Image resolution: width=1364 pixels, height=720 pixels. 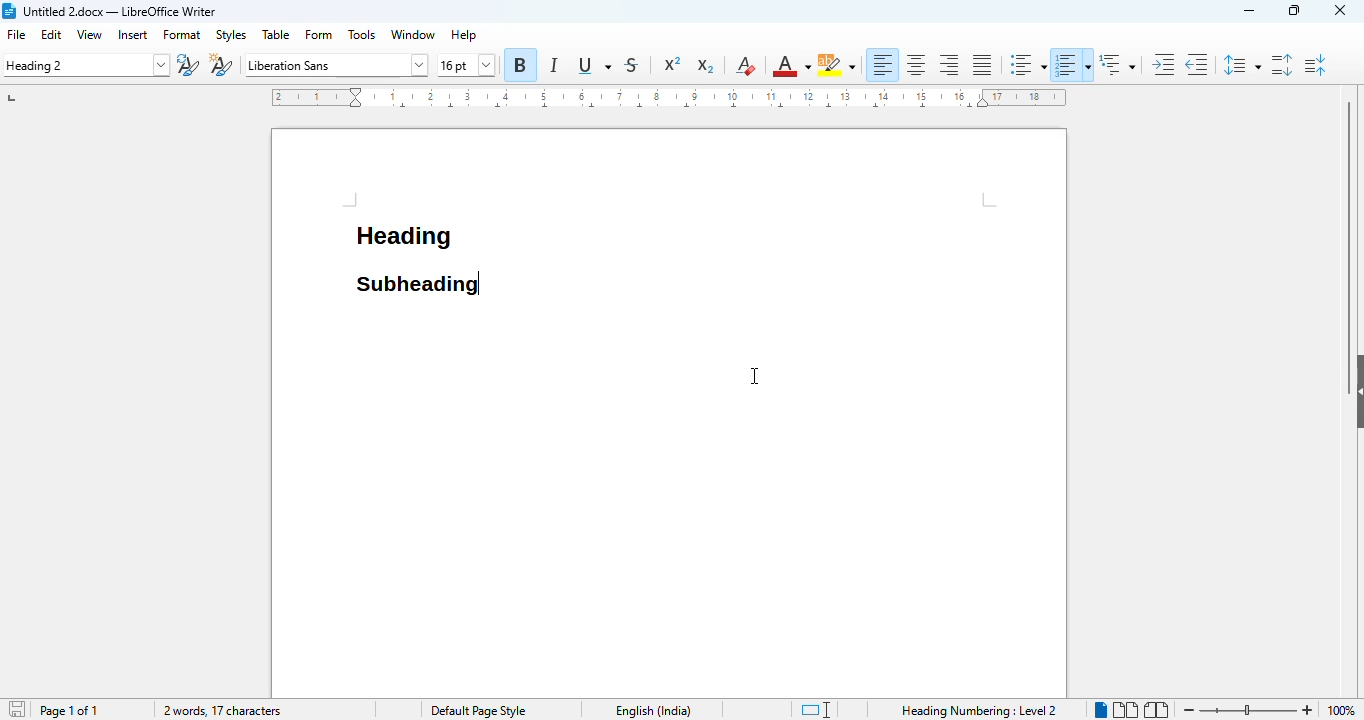 I want to click on book view, so click(x=1155, y=709).